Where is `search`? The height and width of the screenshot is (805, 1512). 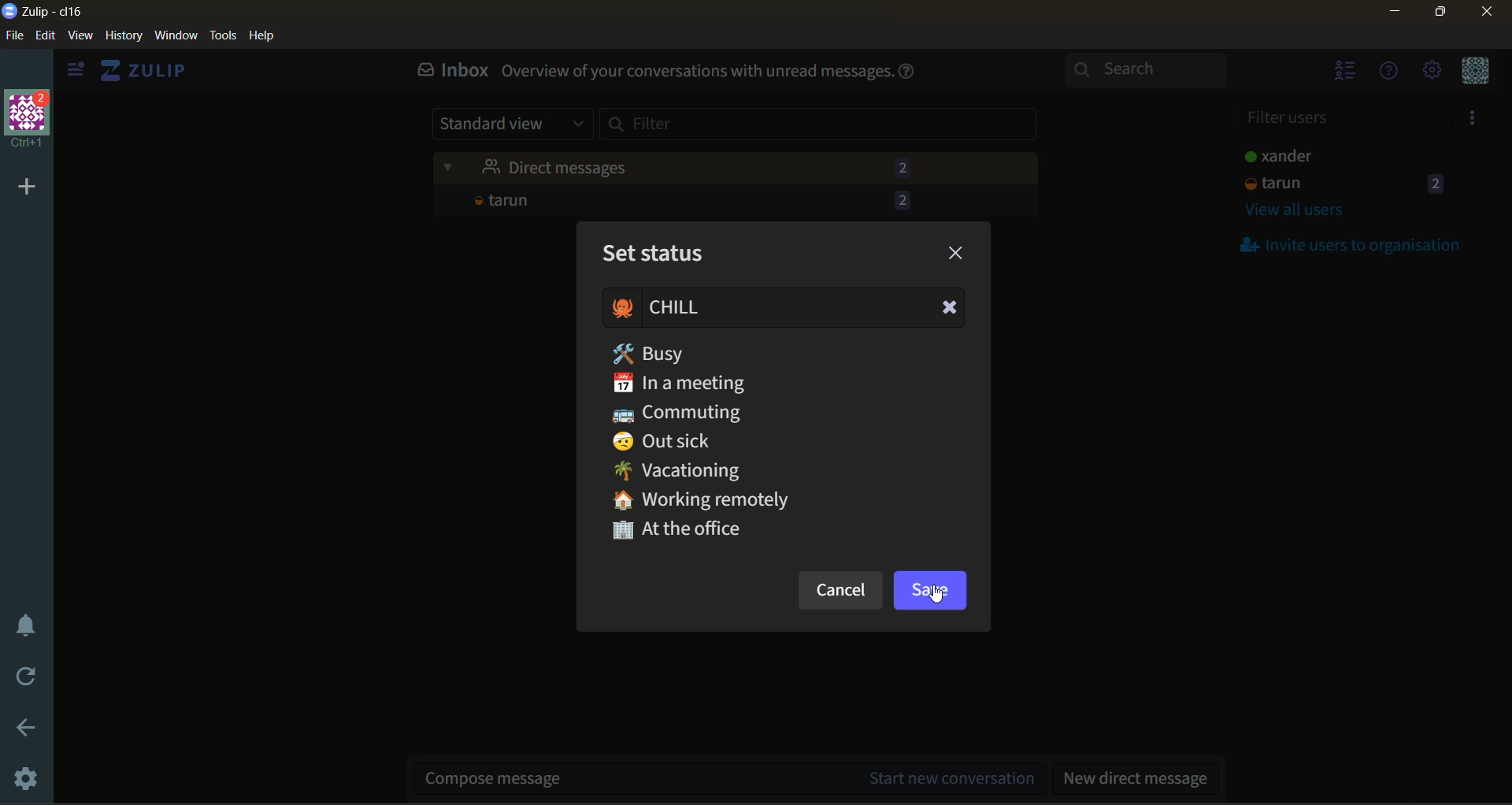 search is located at coordinates (1152, 71).